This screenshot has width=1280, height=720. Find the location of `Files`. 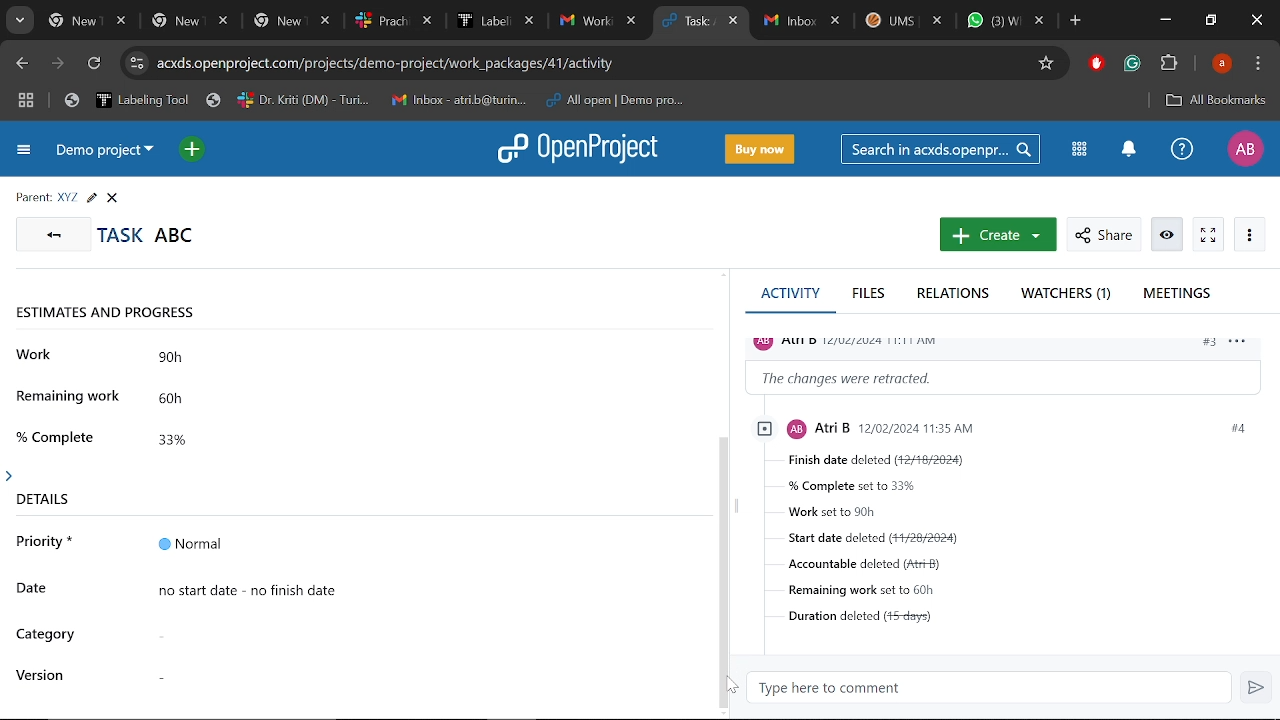

Files is located at coordinates (870, 294).